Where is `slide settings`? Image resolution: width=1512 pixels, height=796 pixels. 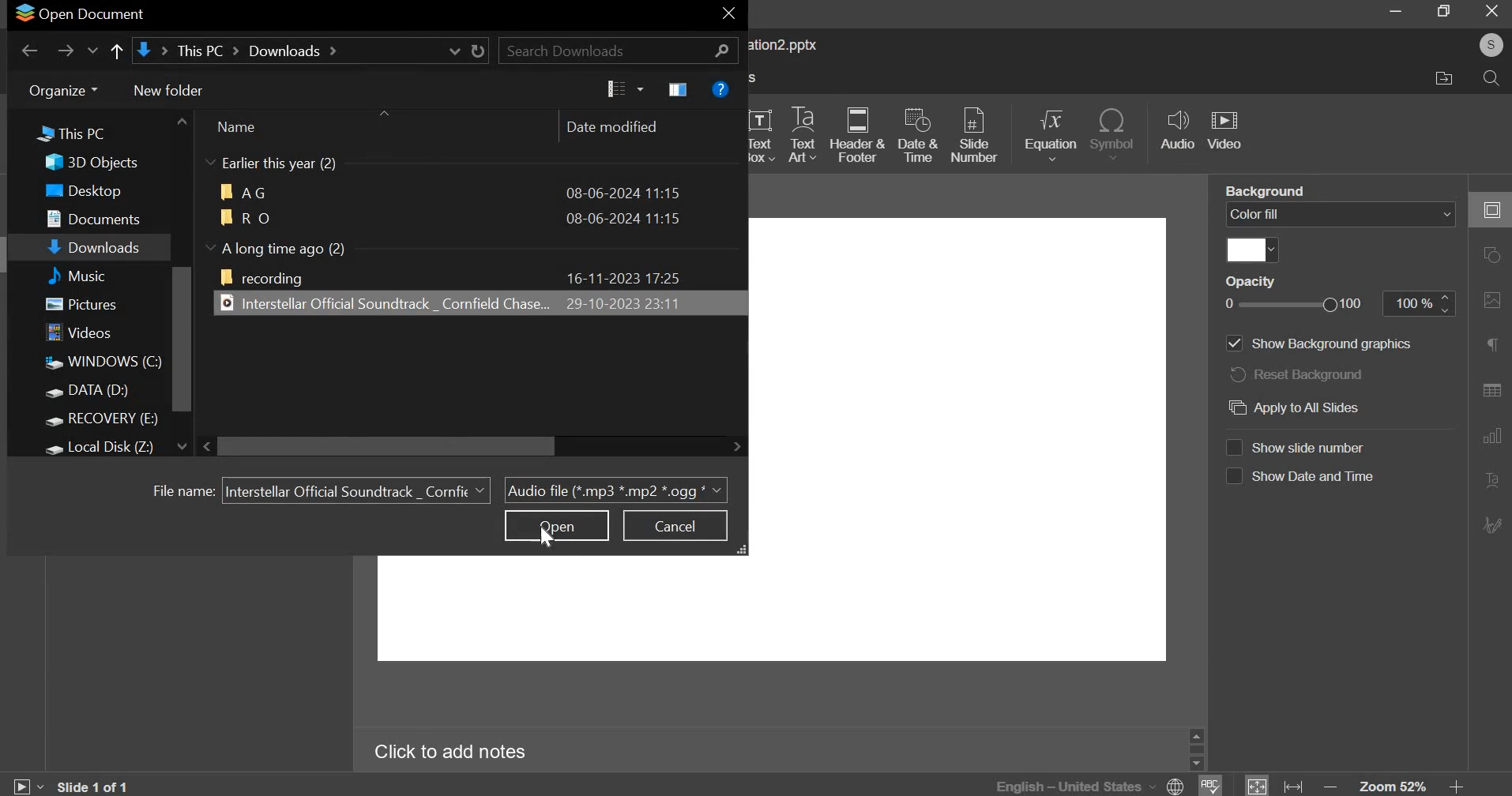
slide settings is located at coordinates (1491, 209).